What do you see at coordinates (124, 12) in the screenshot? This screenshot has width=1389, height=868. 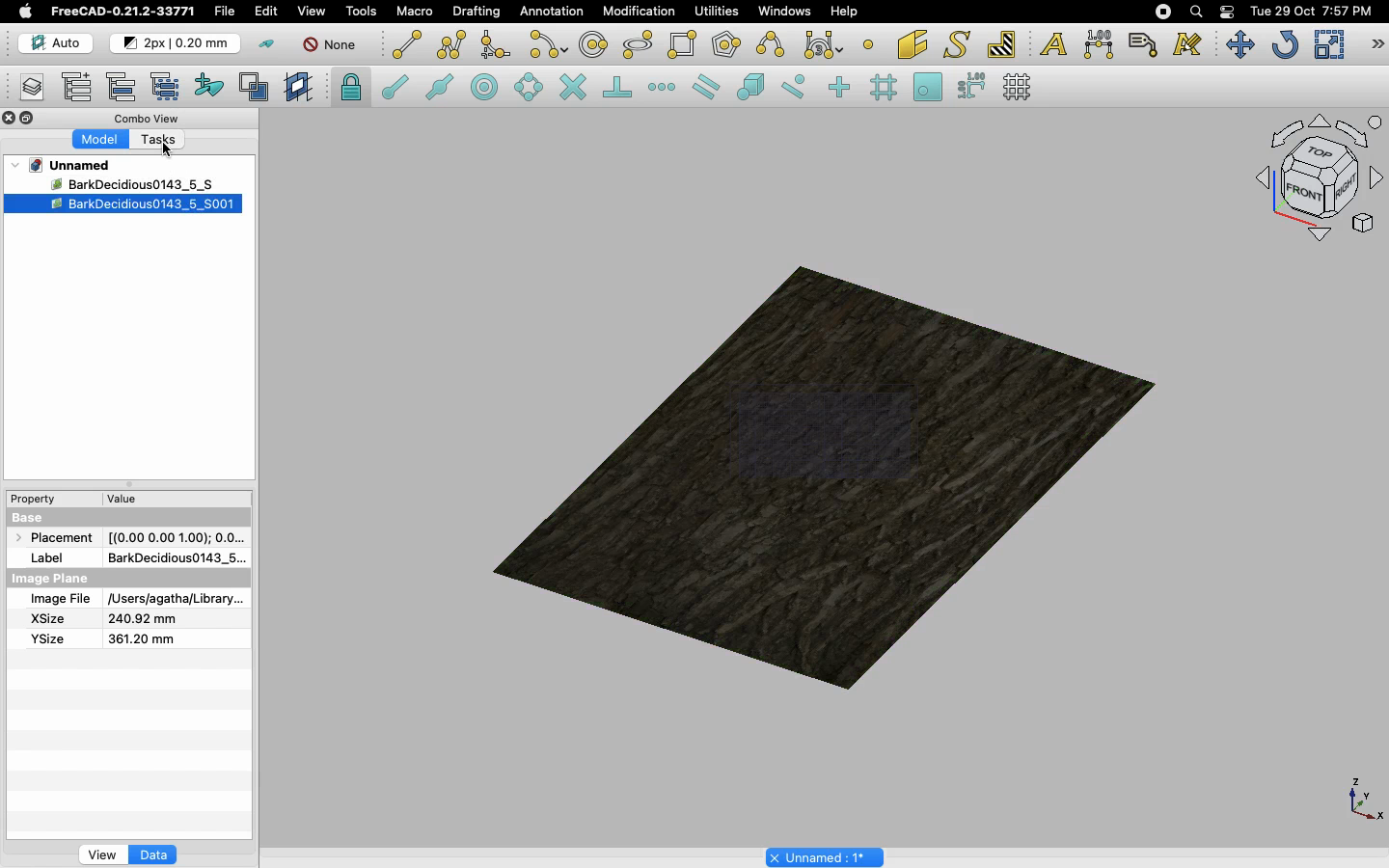 I see `FreeCAD` at bounding box center [124, 12].